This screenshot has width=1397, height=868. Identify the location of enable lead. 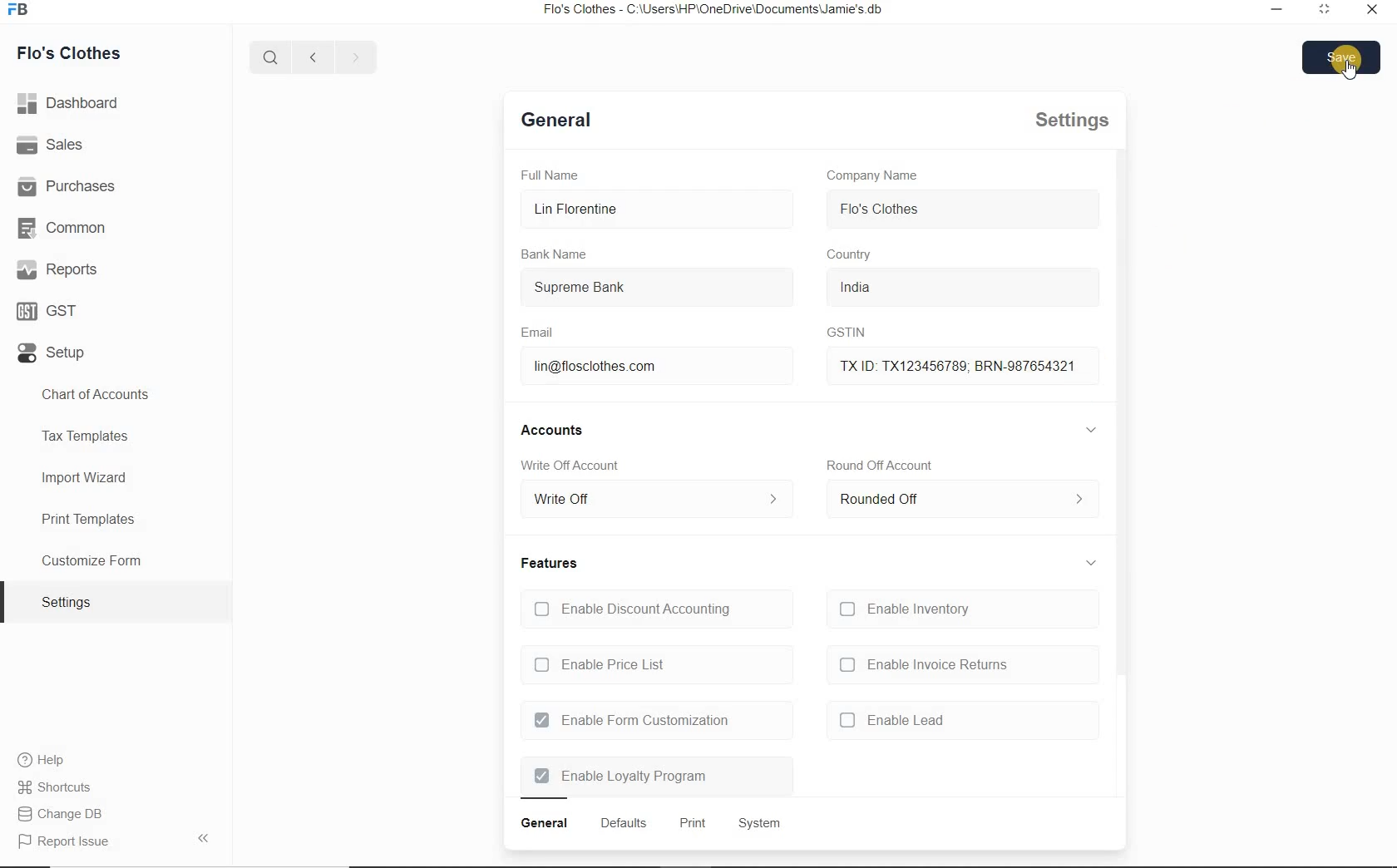
(892, 719).